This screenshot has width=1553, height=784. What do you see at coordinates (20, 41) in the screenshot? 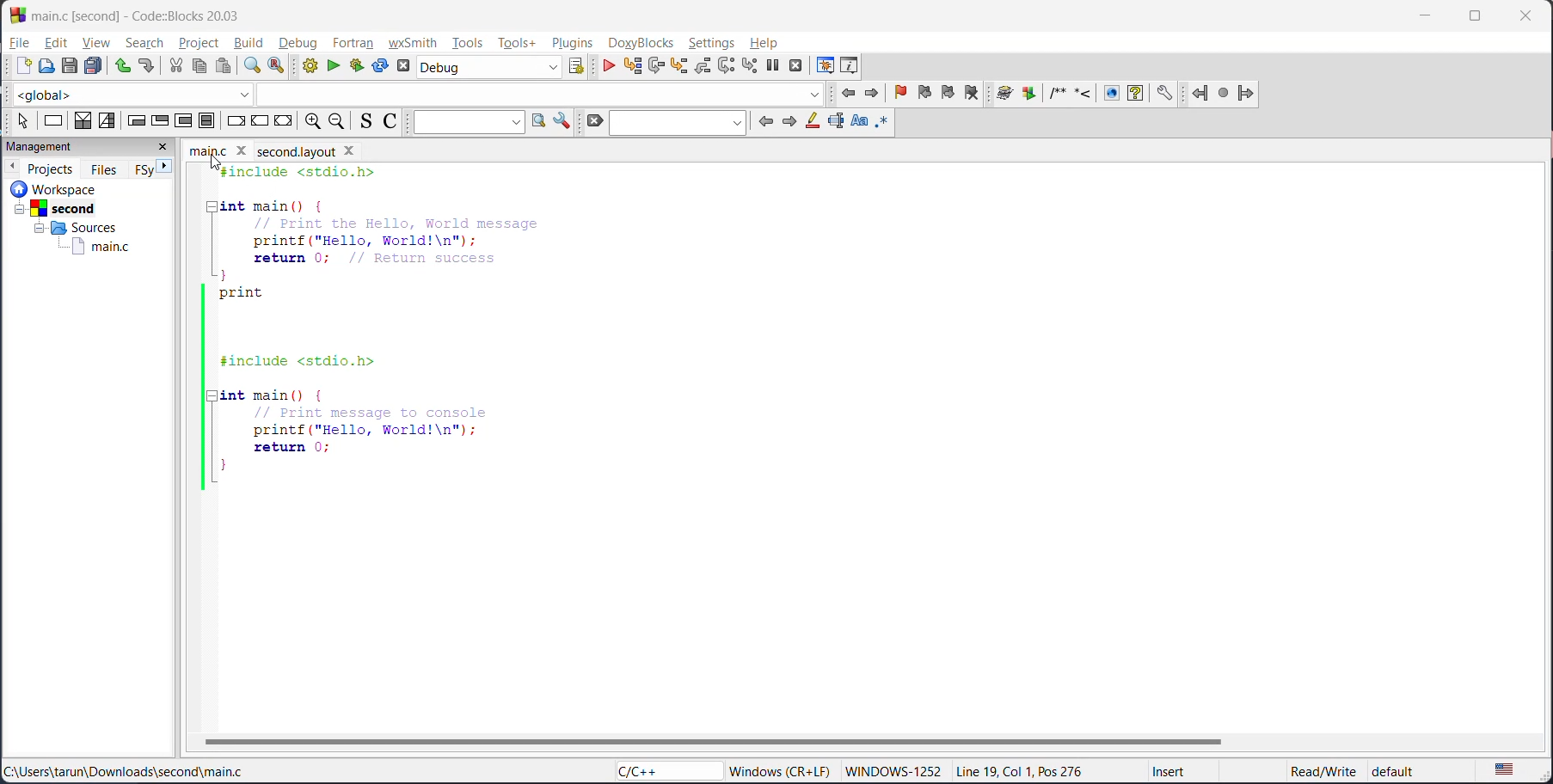
I see `file` at bounding box center [20, 41].